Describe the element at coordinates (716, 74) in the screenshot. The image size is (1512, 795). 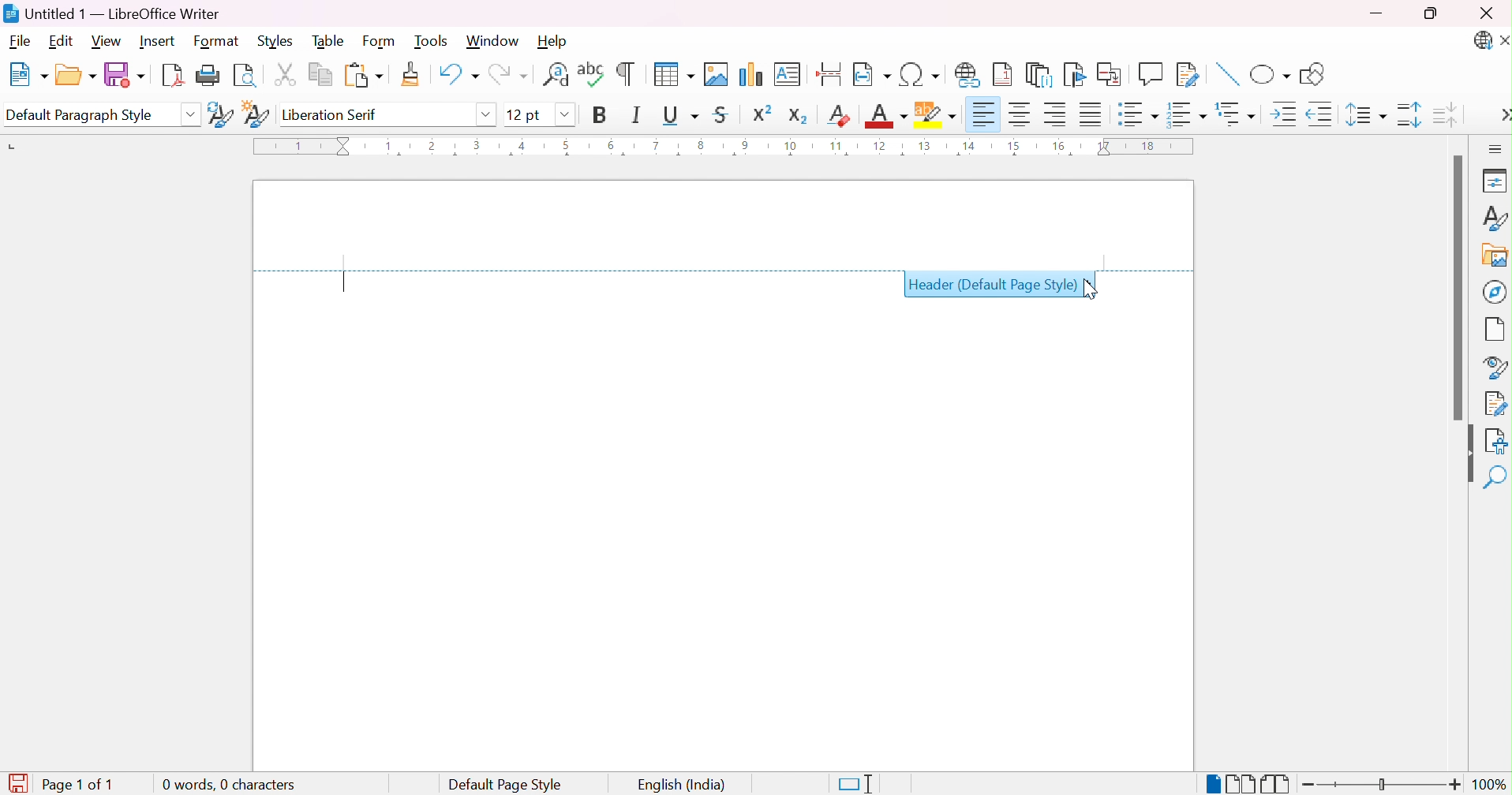
I see `Insert image` at that location.